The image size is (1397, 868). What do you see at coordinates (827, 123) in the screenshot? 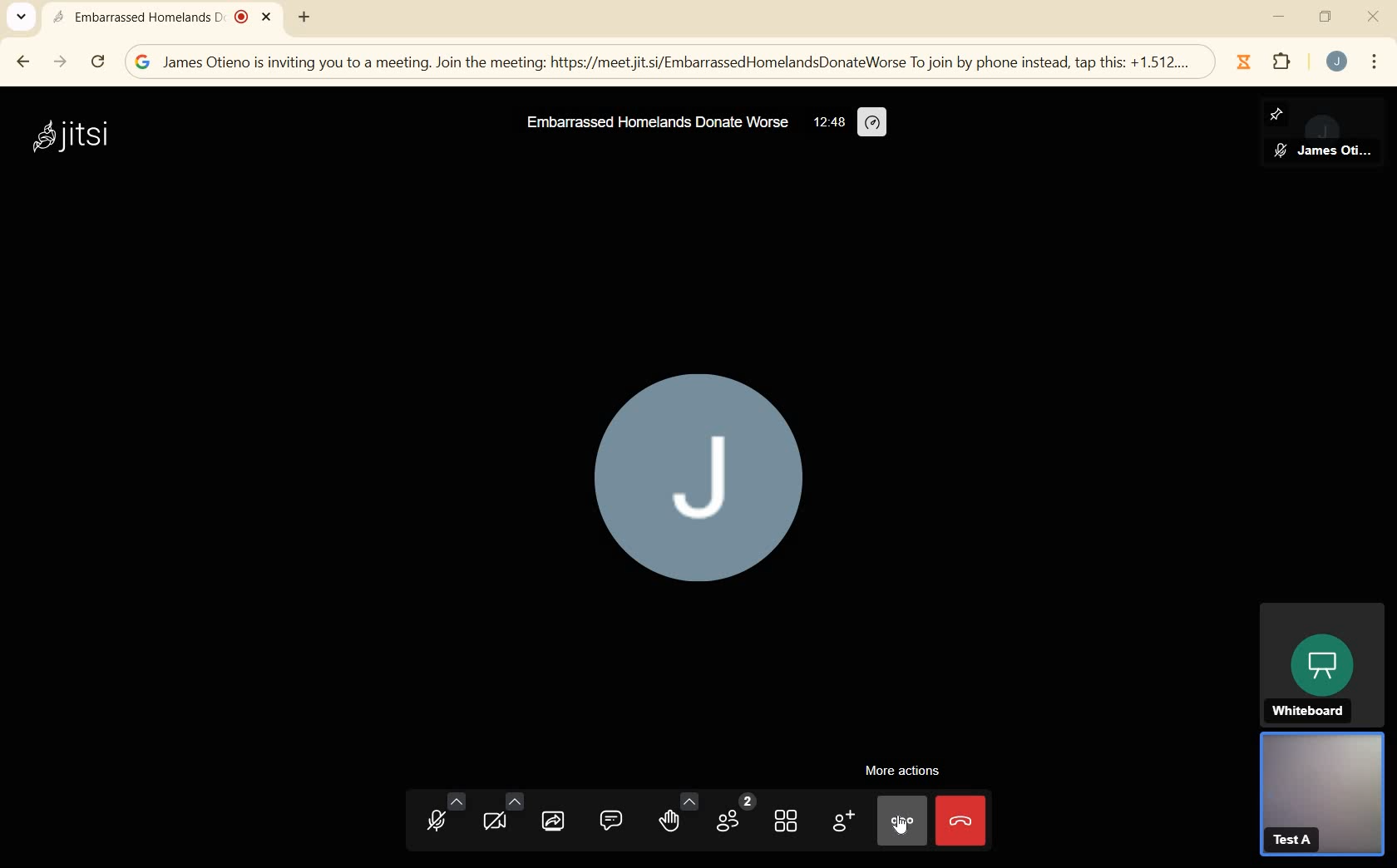
I see `12:48` at bounding box center [827, 123].